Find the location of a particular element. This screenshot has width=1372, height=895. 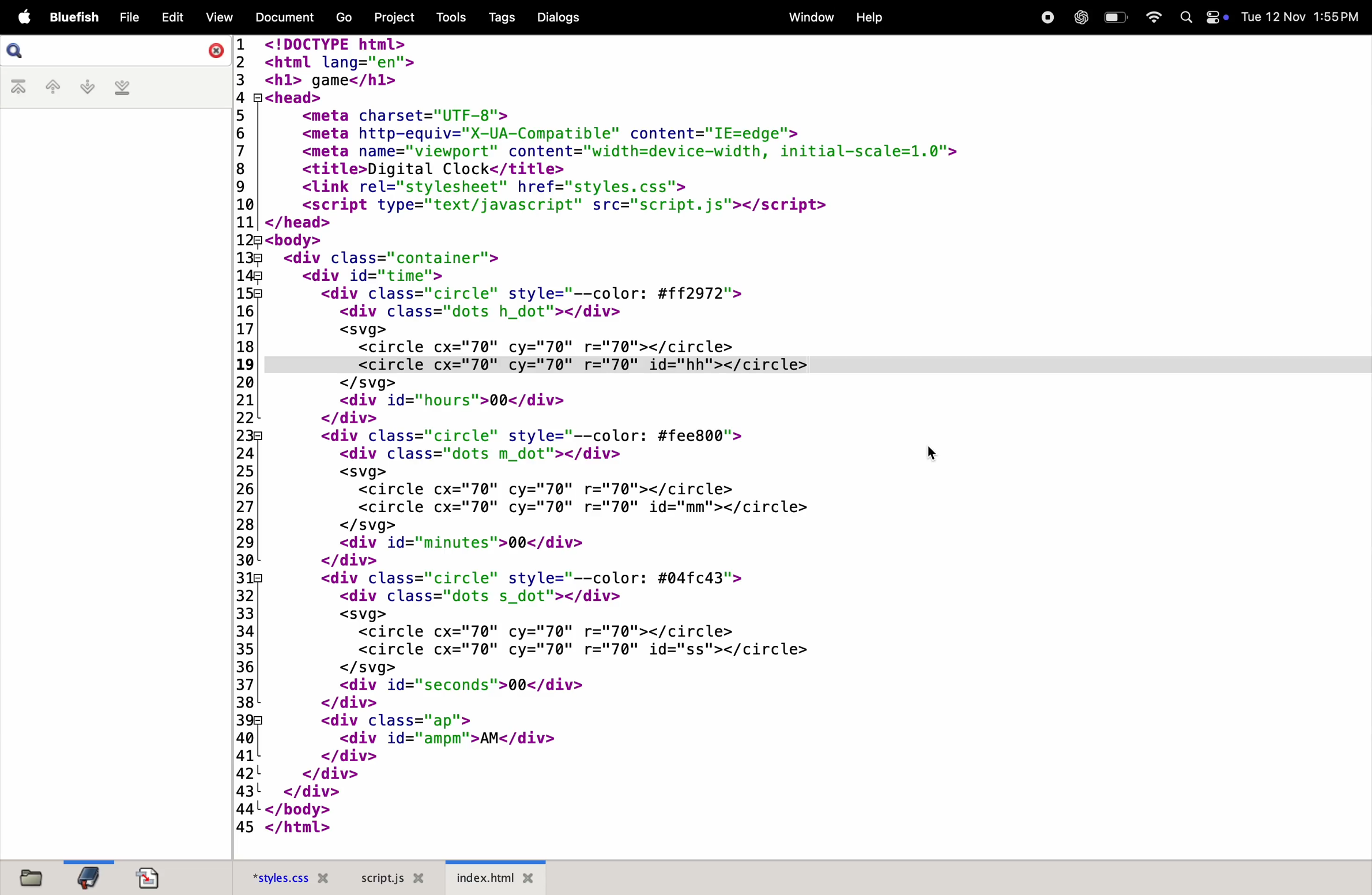

bluefish is located at coordinates (74, 16).